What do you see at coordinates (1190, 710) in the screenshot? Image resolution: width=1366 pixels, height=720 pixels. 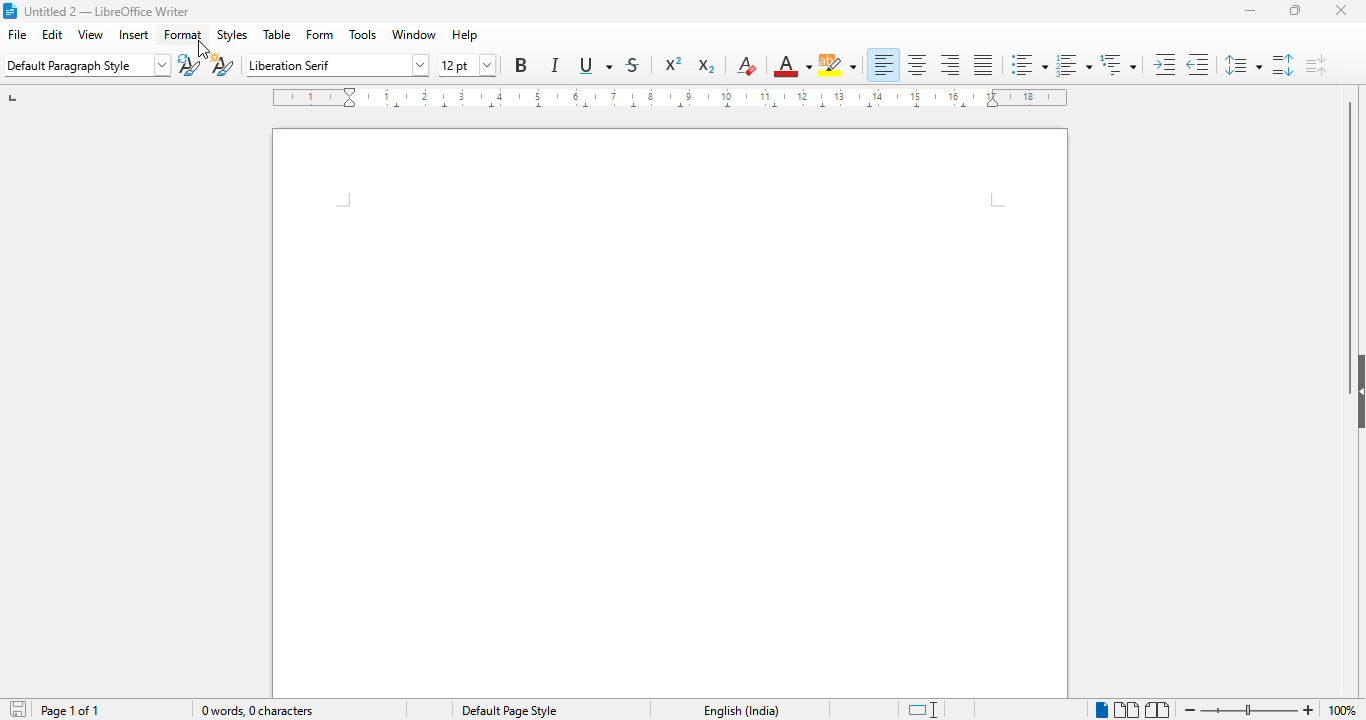 I see `zoom out` at bounding box center [1190, 710].